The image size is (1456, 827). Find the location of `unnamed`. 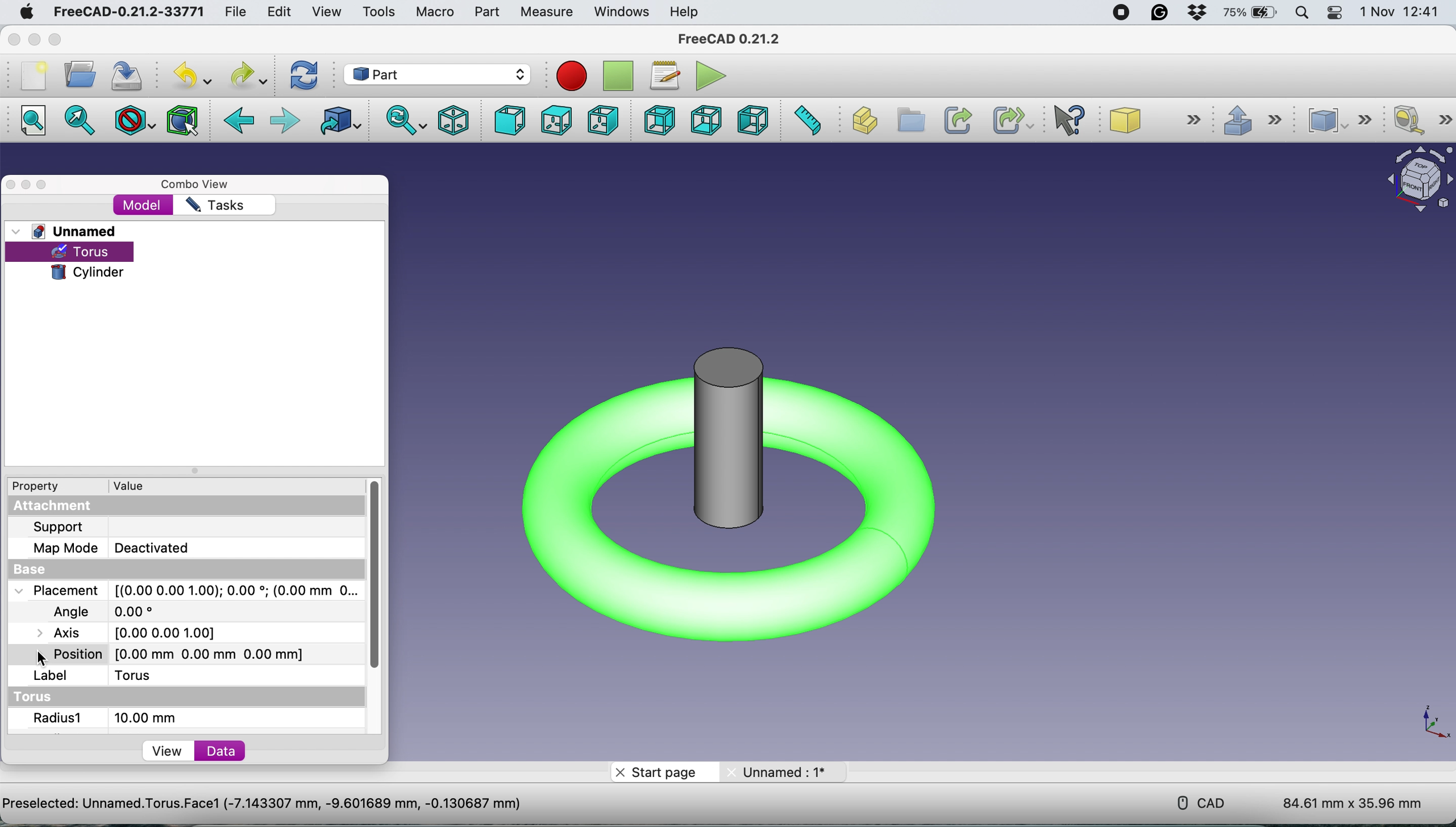

unnamed is located at coordinates (790, 772).